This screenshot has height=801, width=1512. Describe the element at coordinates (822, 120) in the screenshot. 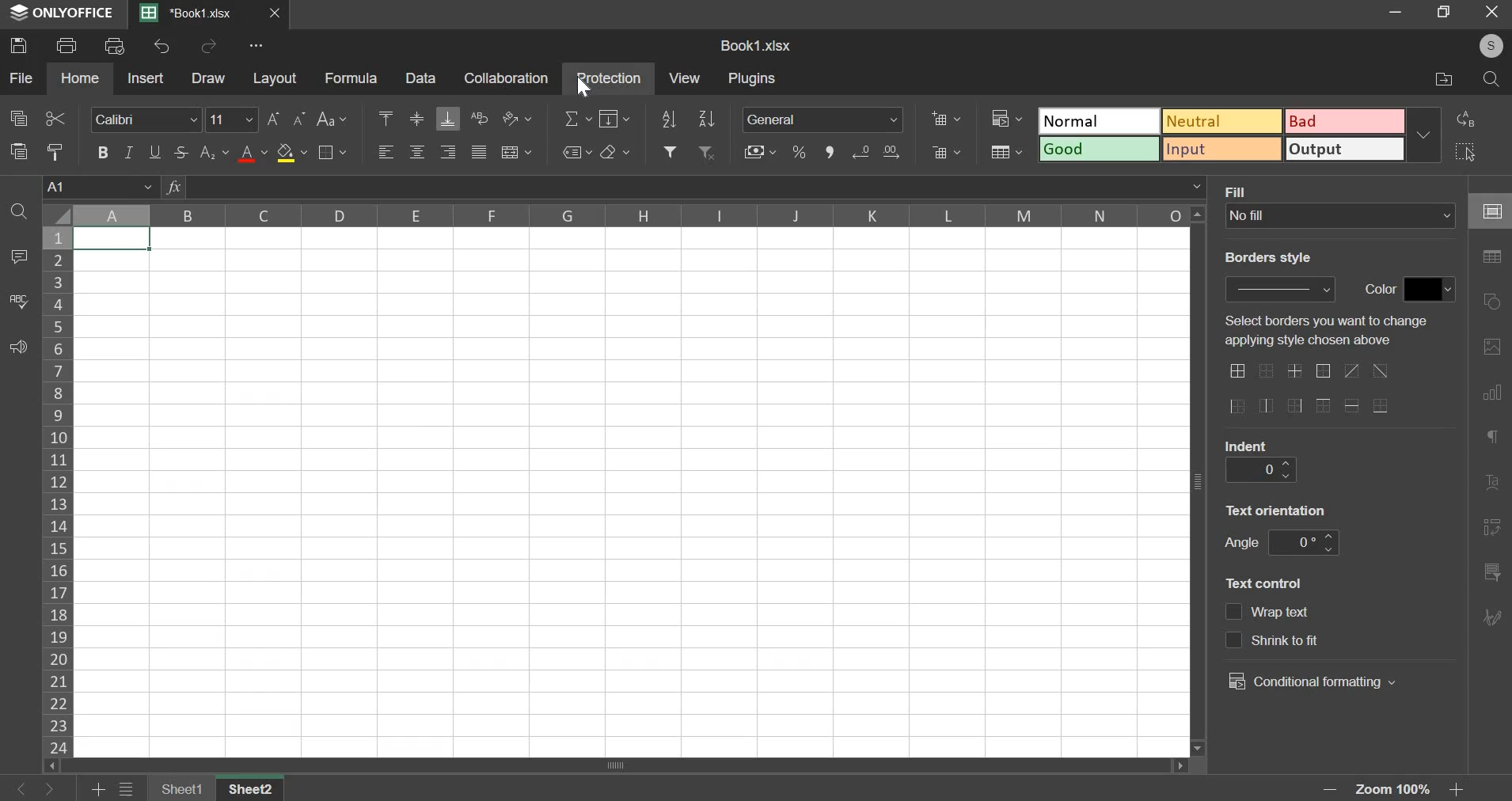

I see `number format` at that location.